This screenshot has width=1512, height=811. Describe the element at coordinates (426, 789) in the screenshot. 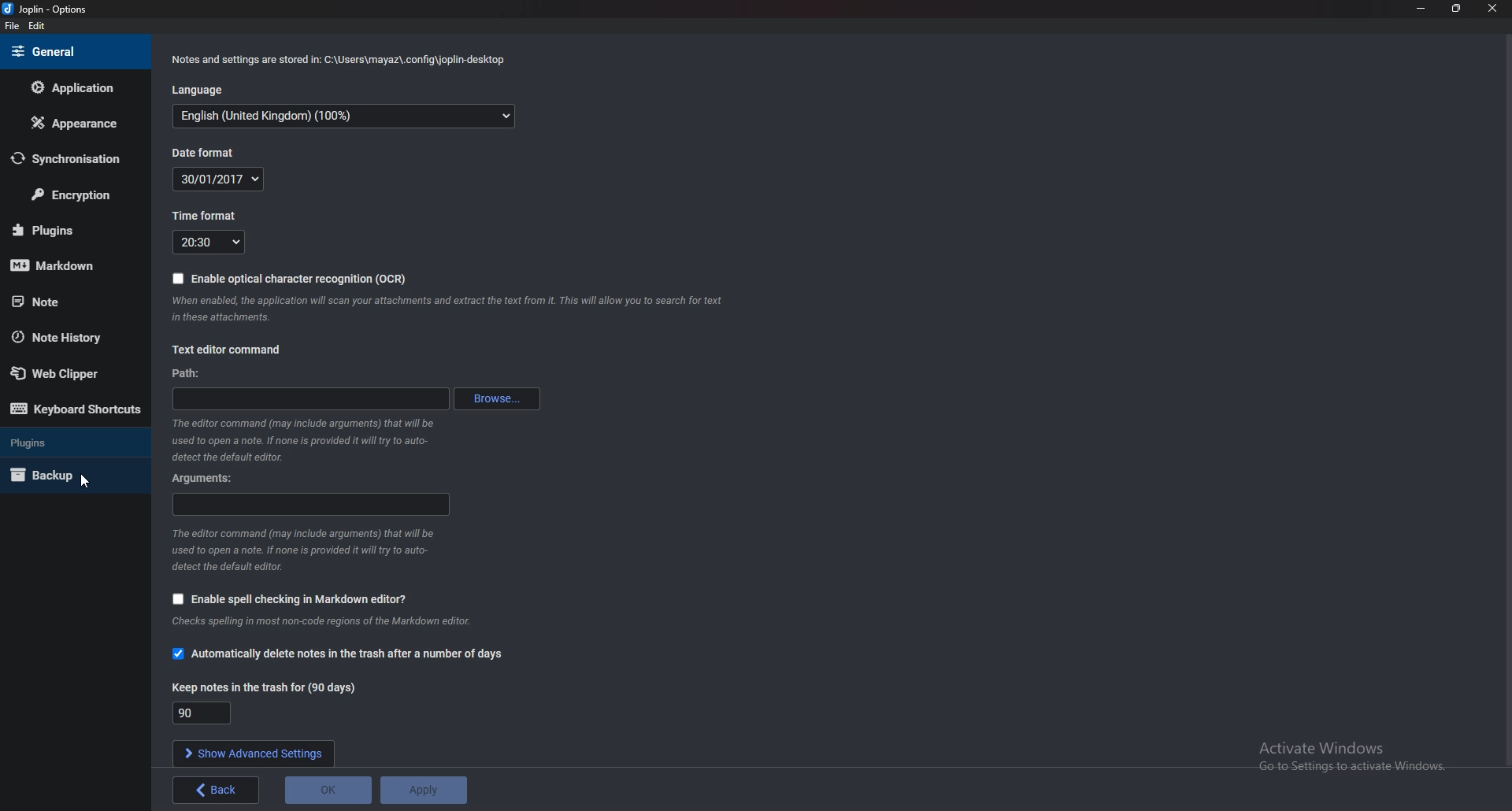

I see `Apply` at that location.